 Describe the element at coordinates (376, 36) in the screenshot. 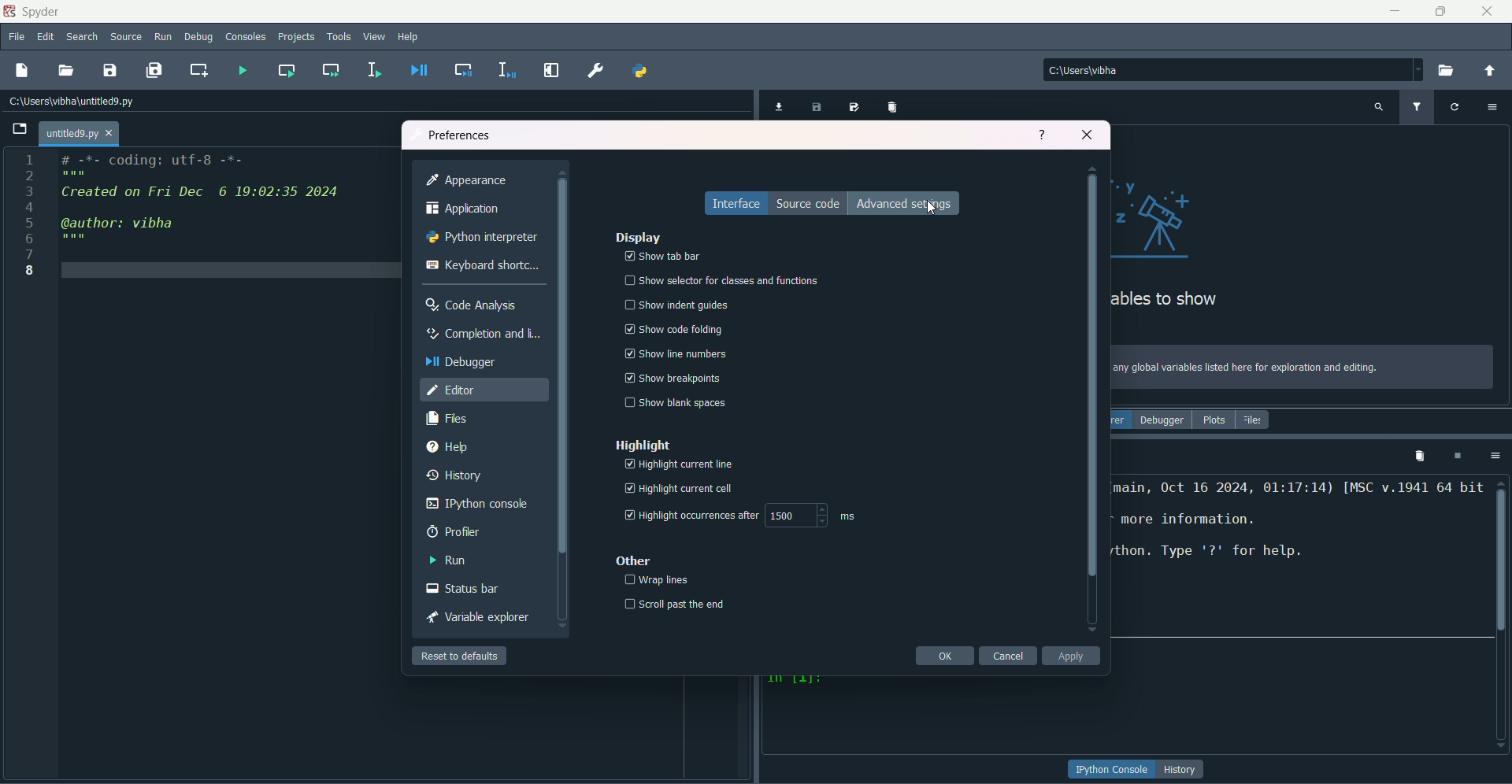

I see `view` at that location.